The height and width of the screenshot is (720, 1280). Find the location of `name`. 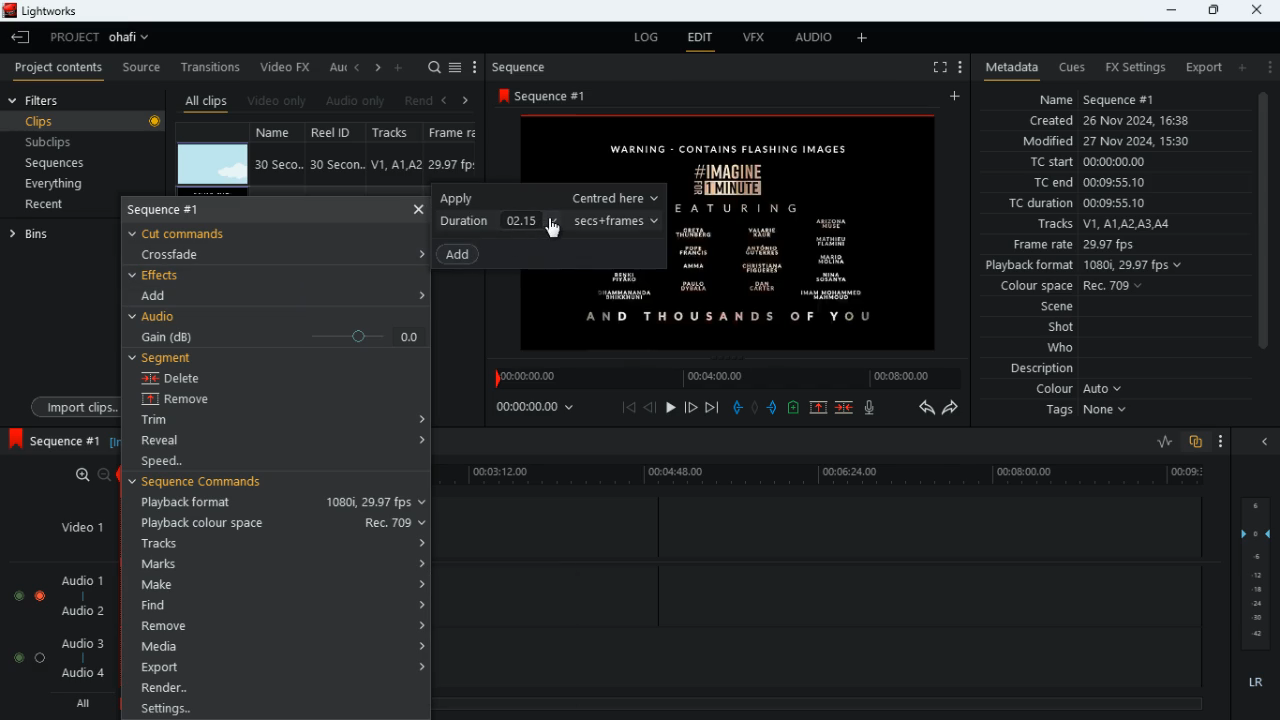

name is located at coordinates (1098, 97).